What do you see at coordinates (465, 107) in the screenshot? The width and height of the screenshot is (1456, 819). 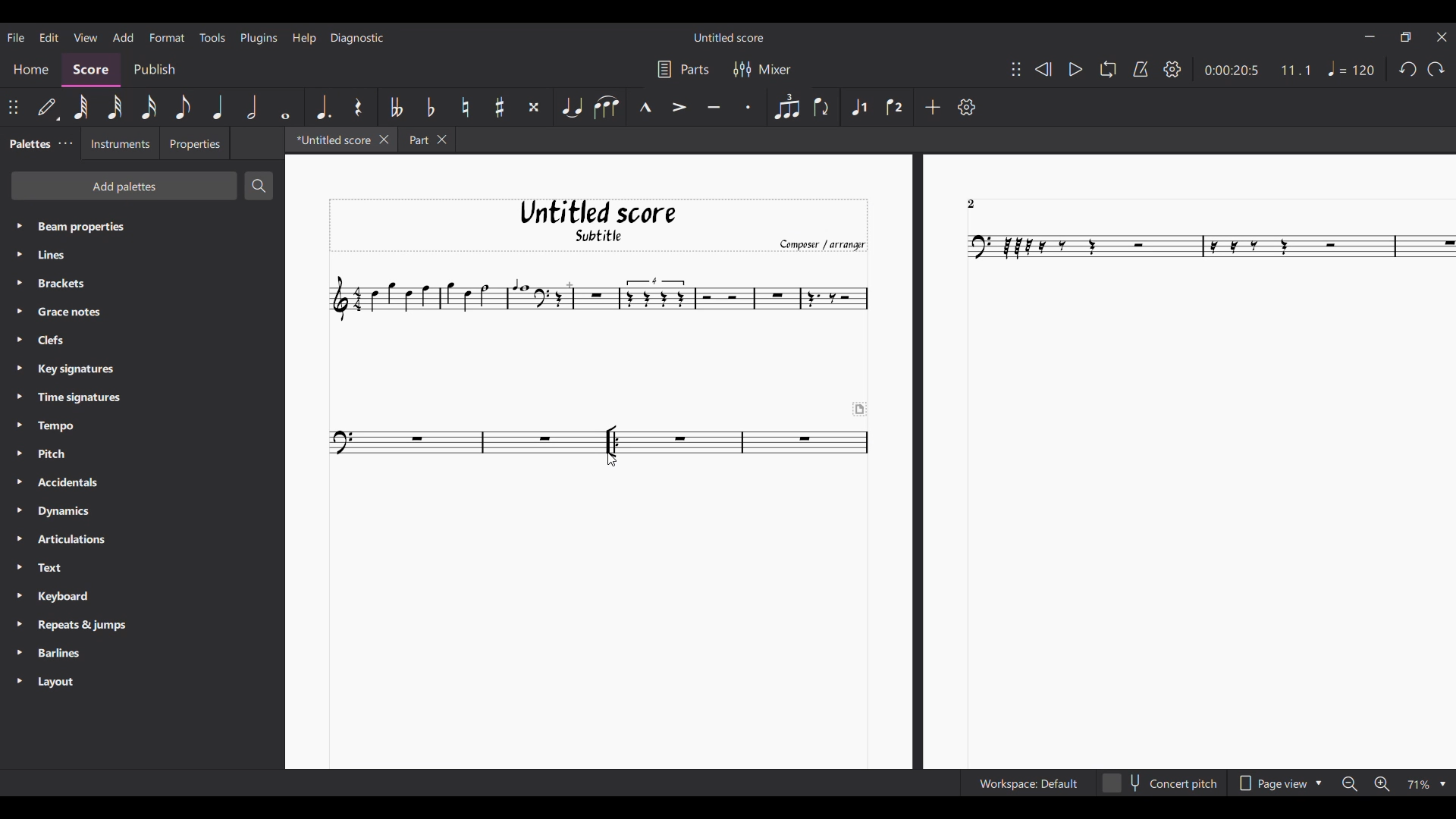 I see `Toggle natural` at bounding box center [465, 107].